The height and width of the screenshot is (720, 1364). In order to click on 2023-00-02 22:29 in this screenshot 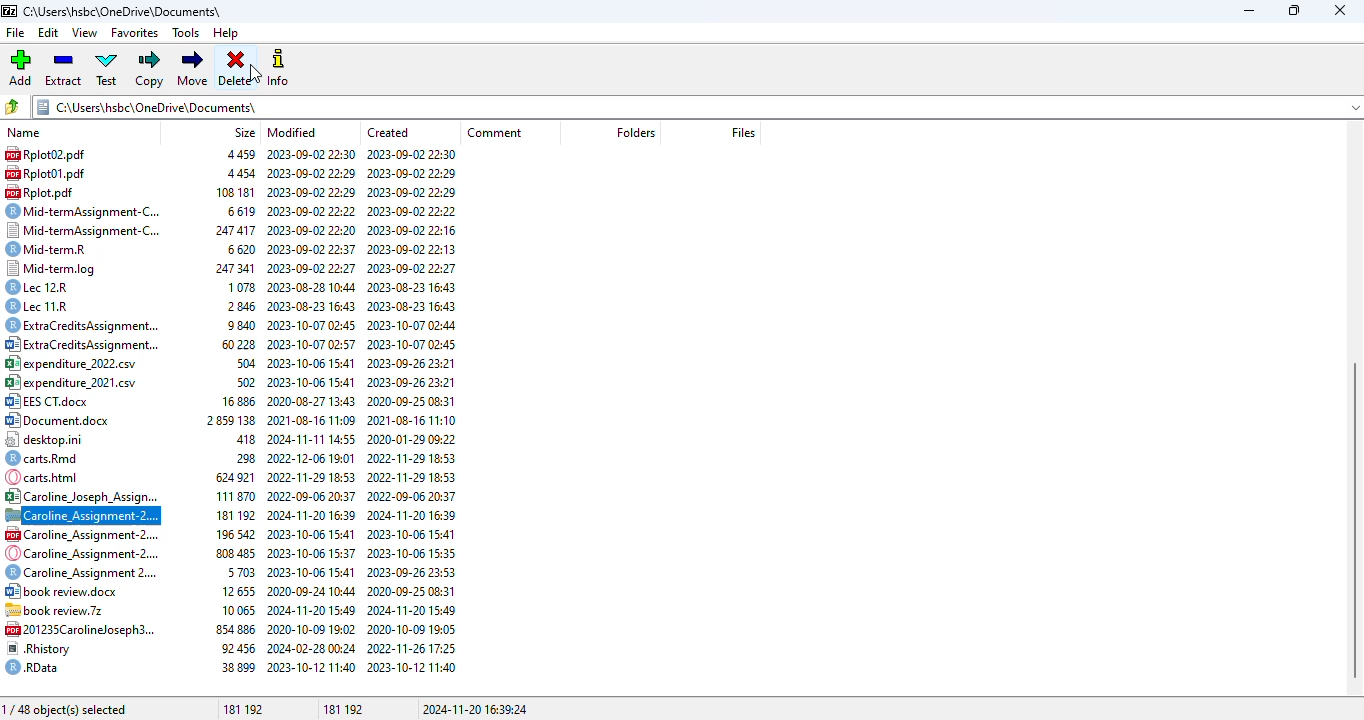, I will do `click(413, 190)`.